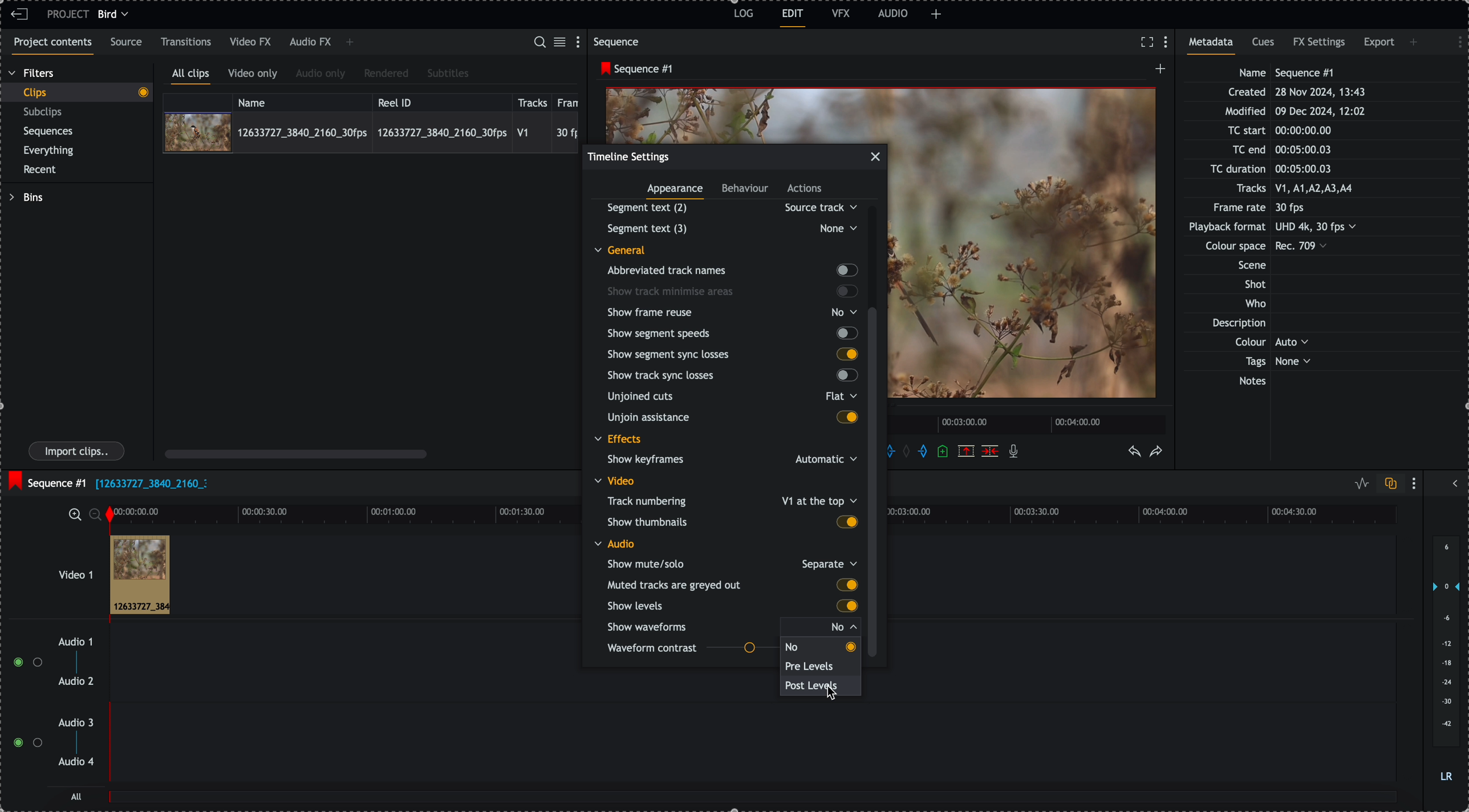 This screenshot has width=1469, height=812. What do you see at coordinates (990, 451) in the screenshot?
I see `delete/cut` at bounding box center [990, 451].